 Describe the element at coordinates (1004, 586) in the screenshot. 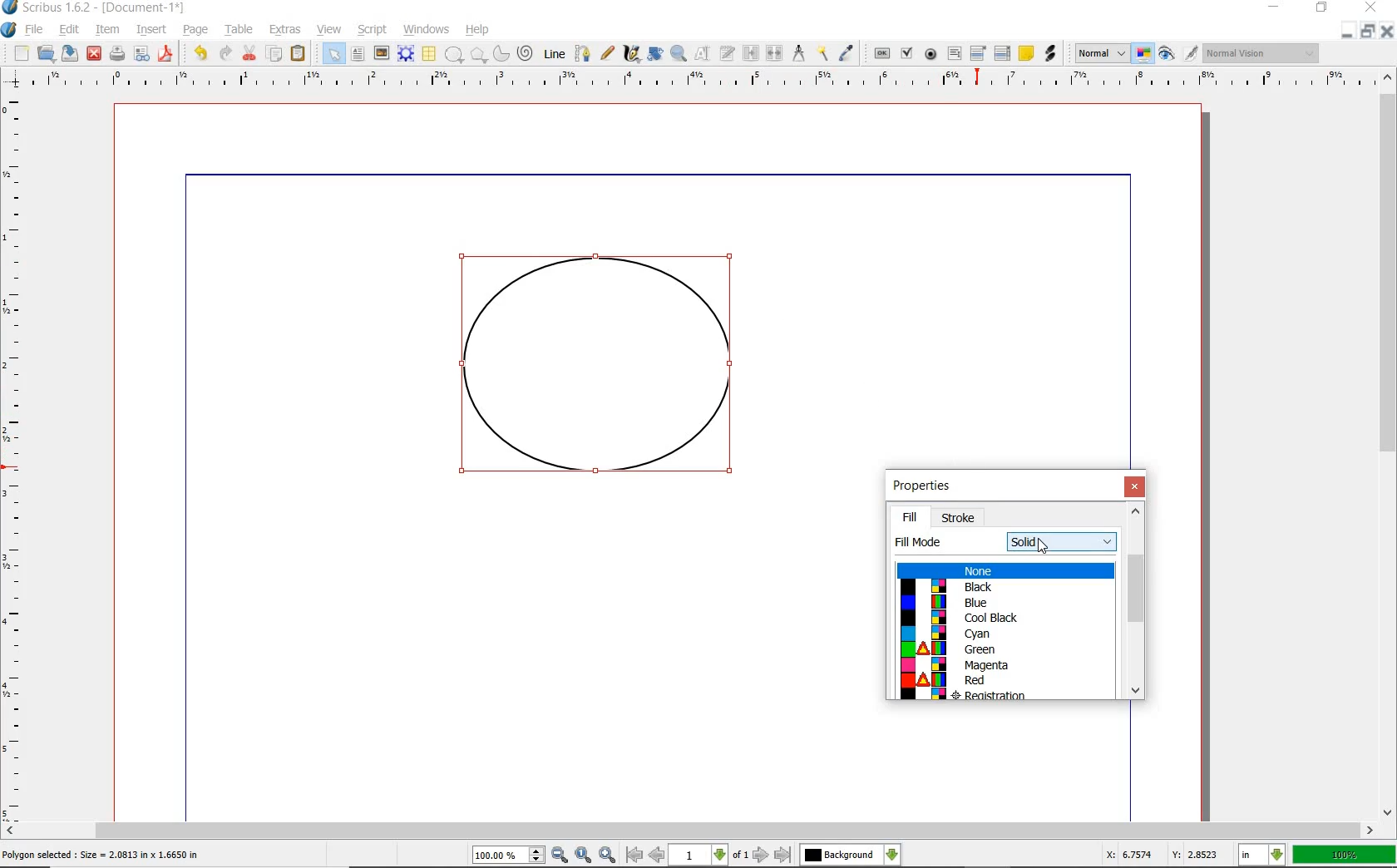

I see `color` at that location.